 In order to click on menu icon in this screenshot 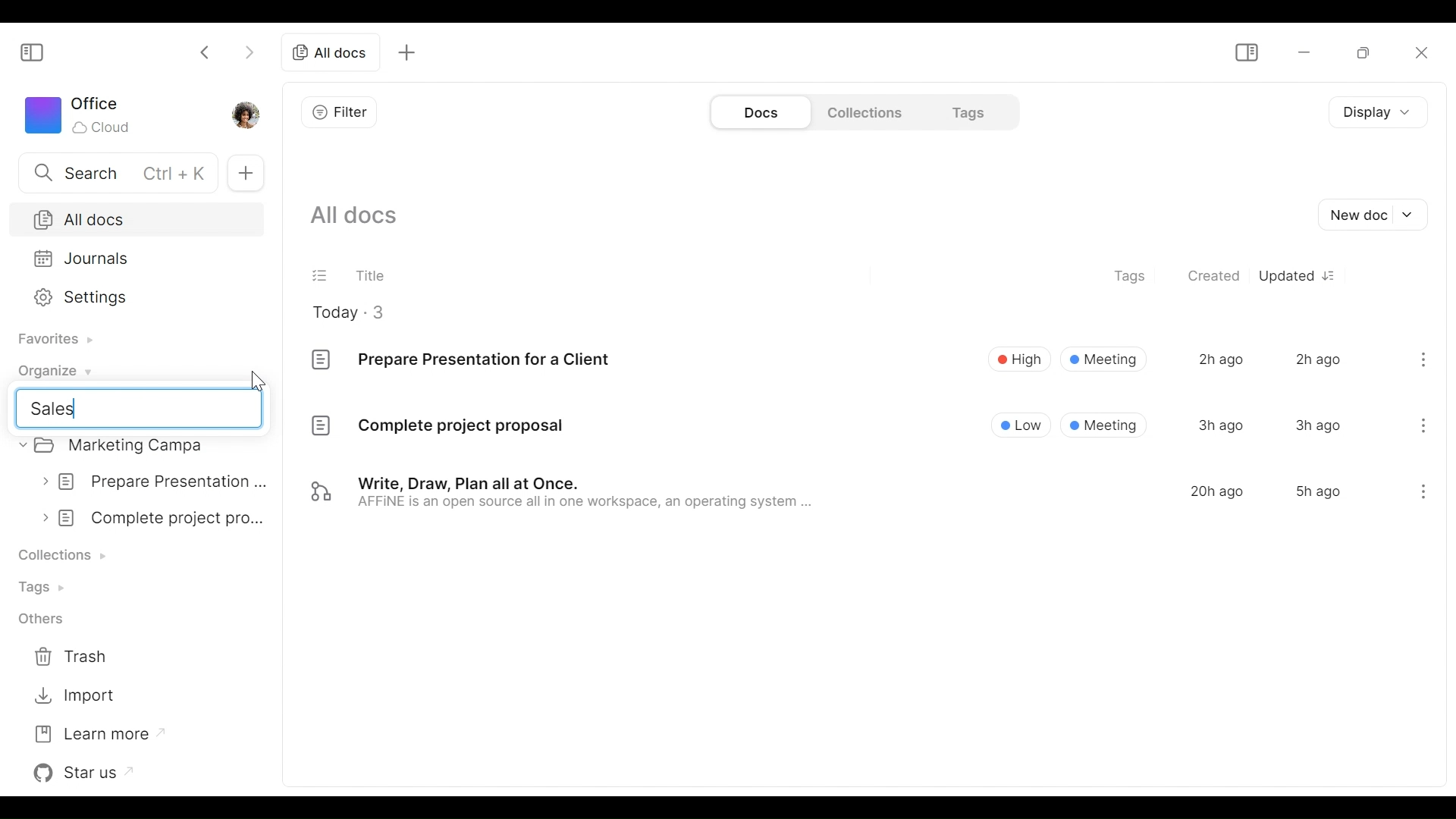, I will do `click(1424, 357)`.